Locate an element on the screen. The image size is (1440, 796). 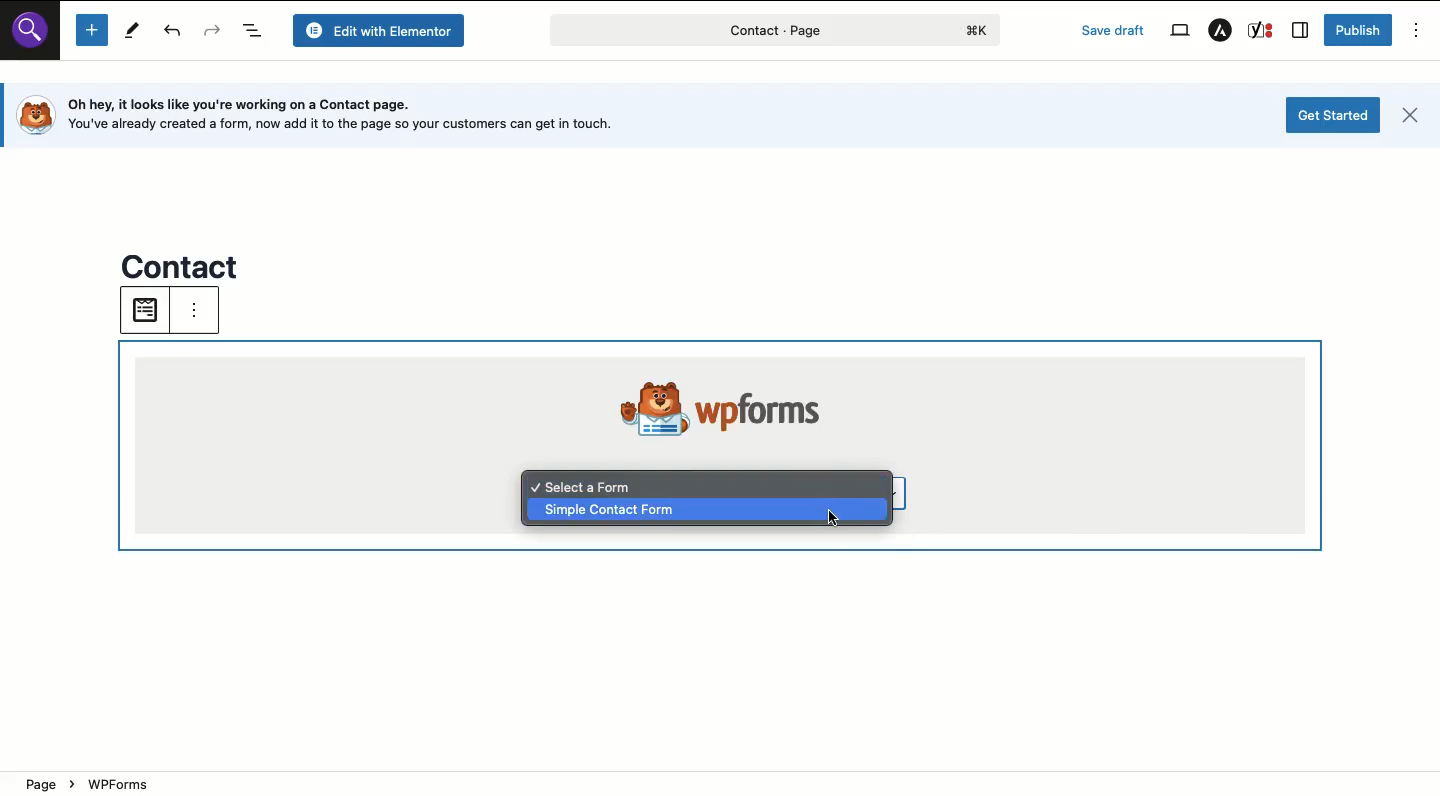
Page > WPForms is located at coordinates (249, 781).